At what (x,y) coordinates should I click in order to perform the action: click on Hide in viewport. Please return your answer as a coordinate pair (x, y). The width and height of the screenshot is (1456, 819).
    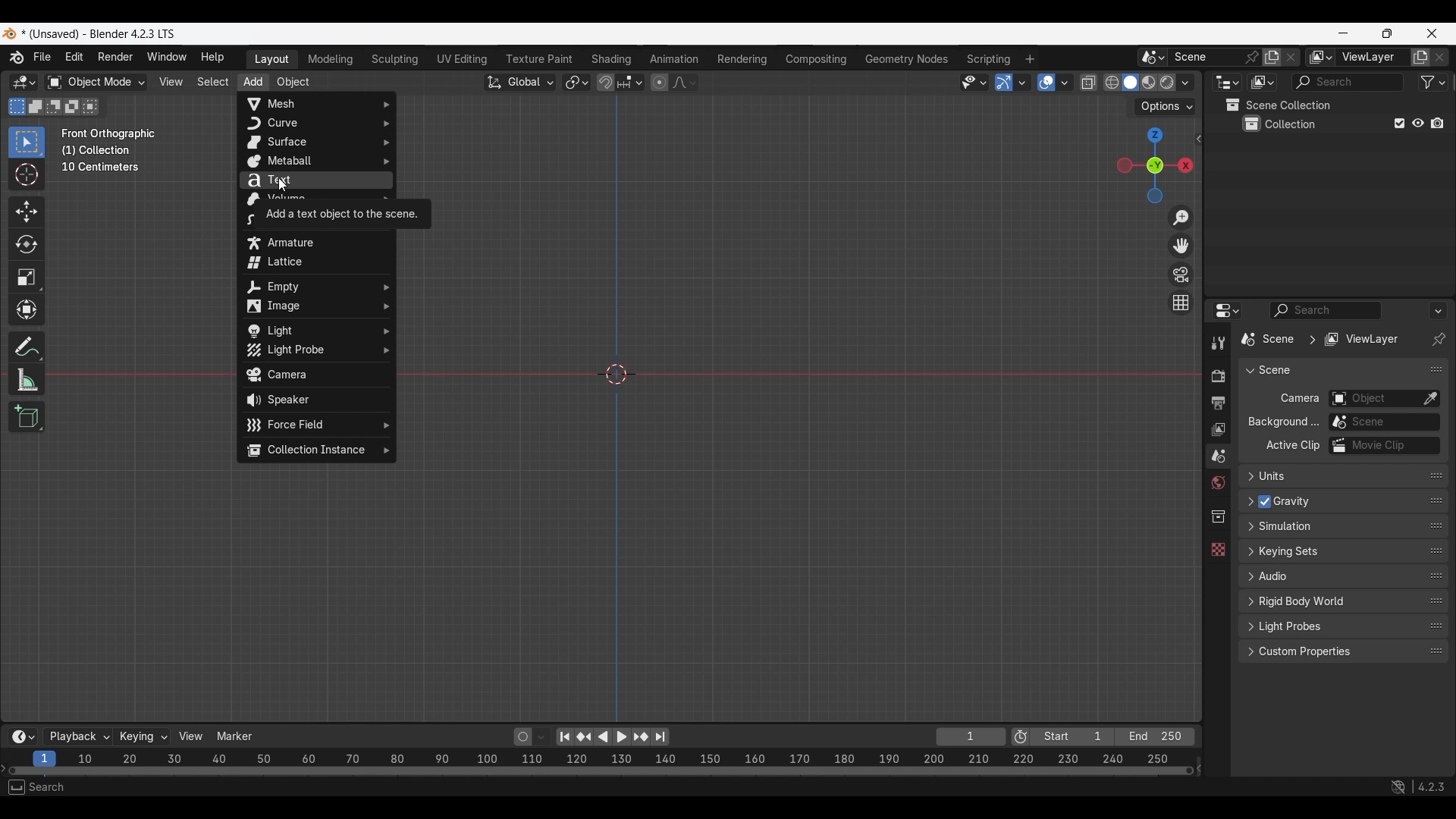
    Looking at the image, I should click on (1417, 123).